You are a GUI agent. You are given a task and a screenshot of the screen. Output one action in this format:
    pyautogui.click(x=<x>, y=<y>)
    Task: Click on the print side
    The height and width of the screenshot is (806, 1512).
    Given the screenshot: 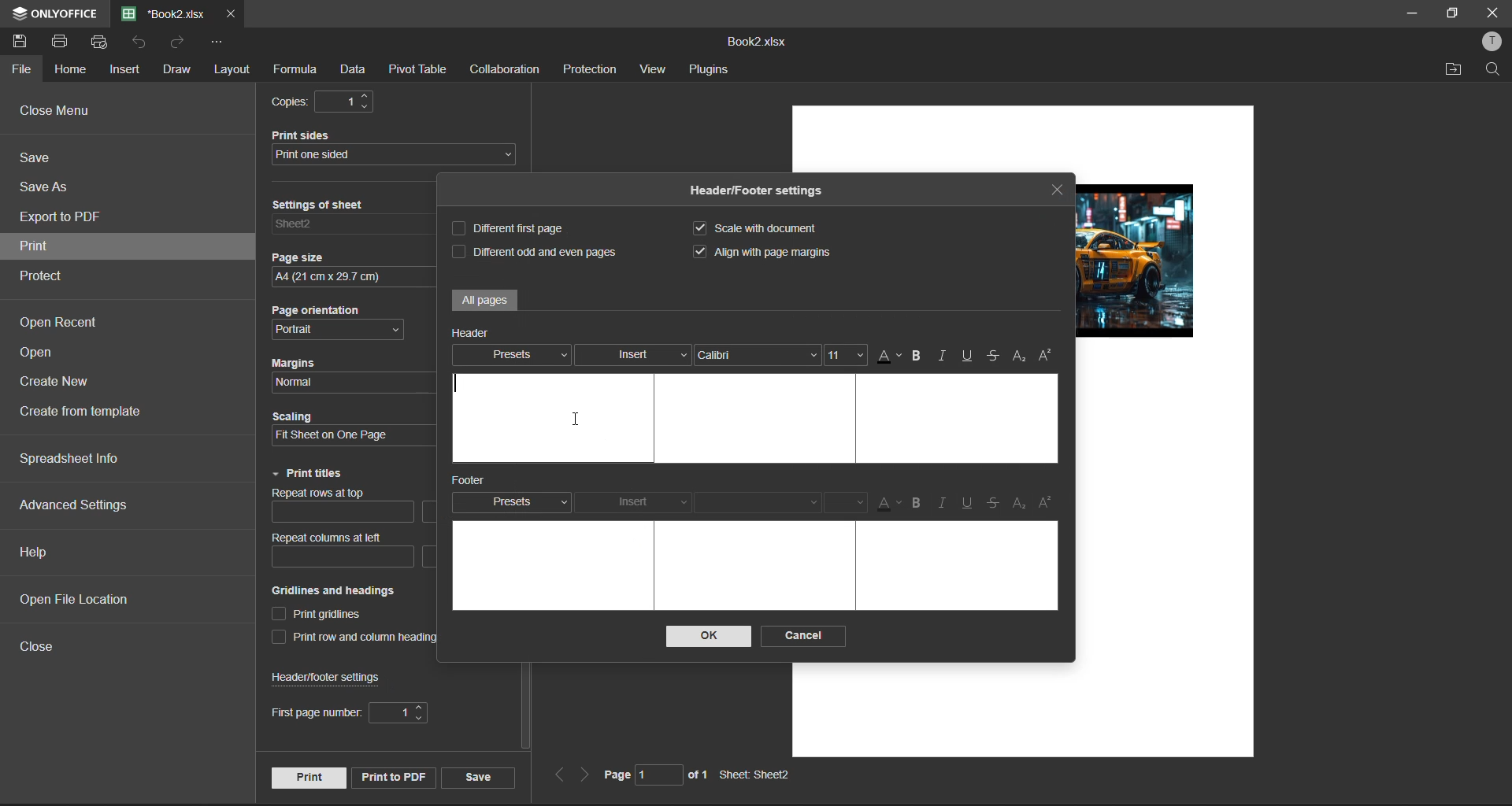 What is the action you would take?
    pyautogui.click(x=397, y=147)
    